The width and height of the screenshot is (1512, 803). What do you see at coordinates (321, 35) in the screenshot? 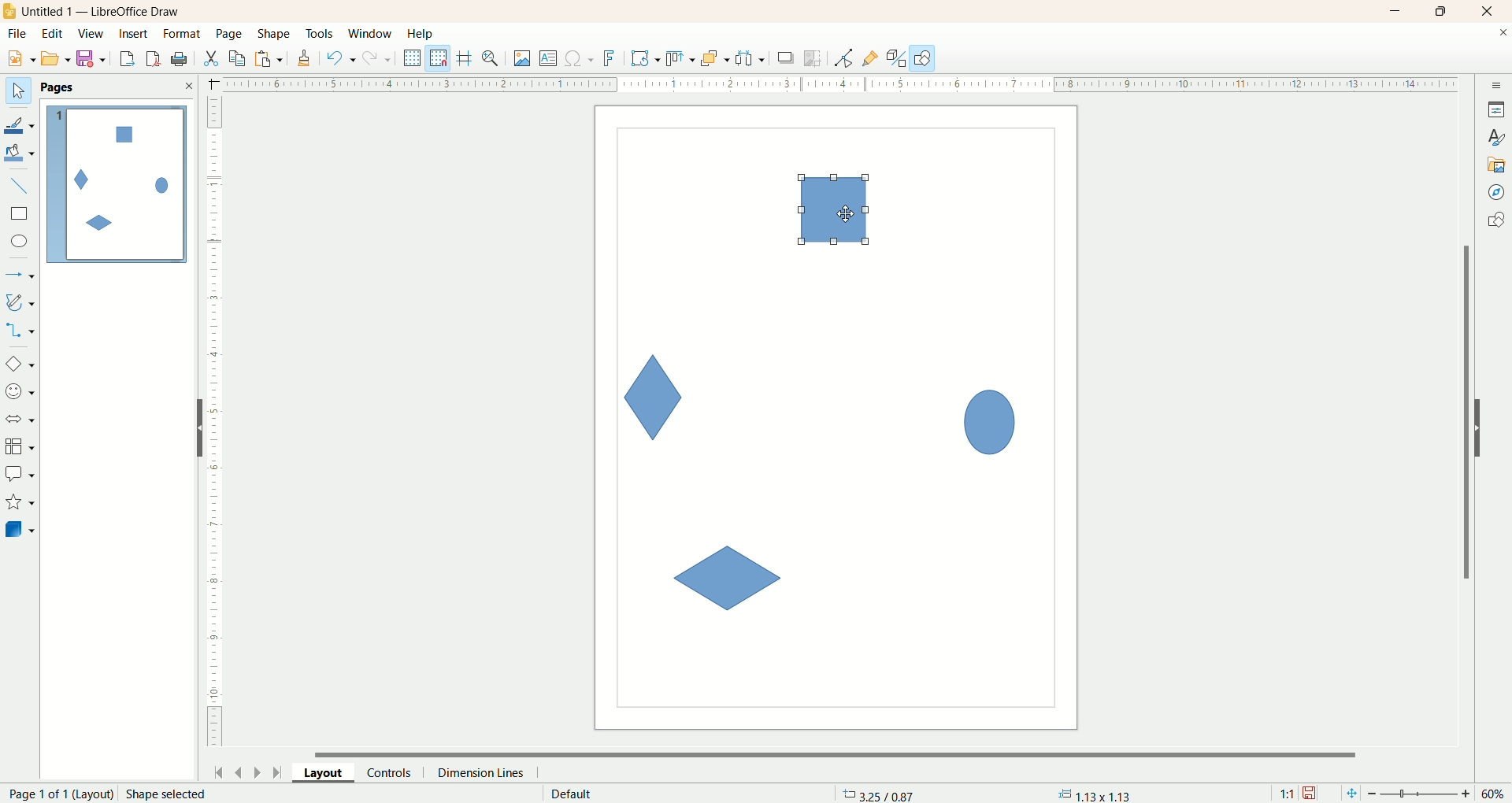
I see `tools` at bounding box center [321, 35].